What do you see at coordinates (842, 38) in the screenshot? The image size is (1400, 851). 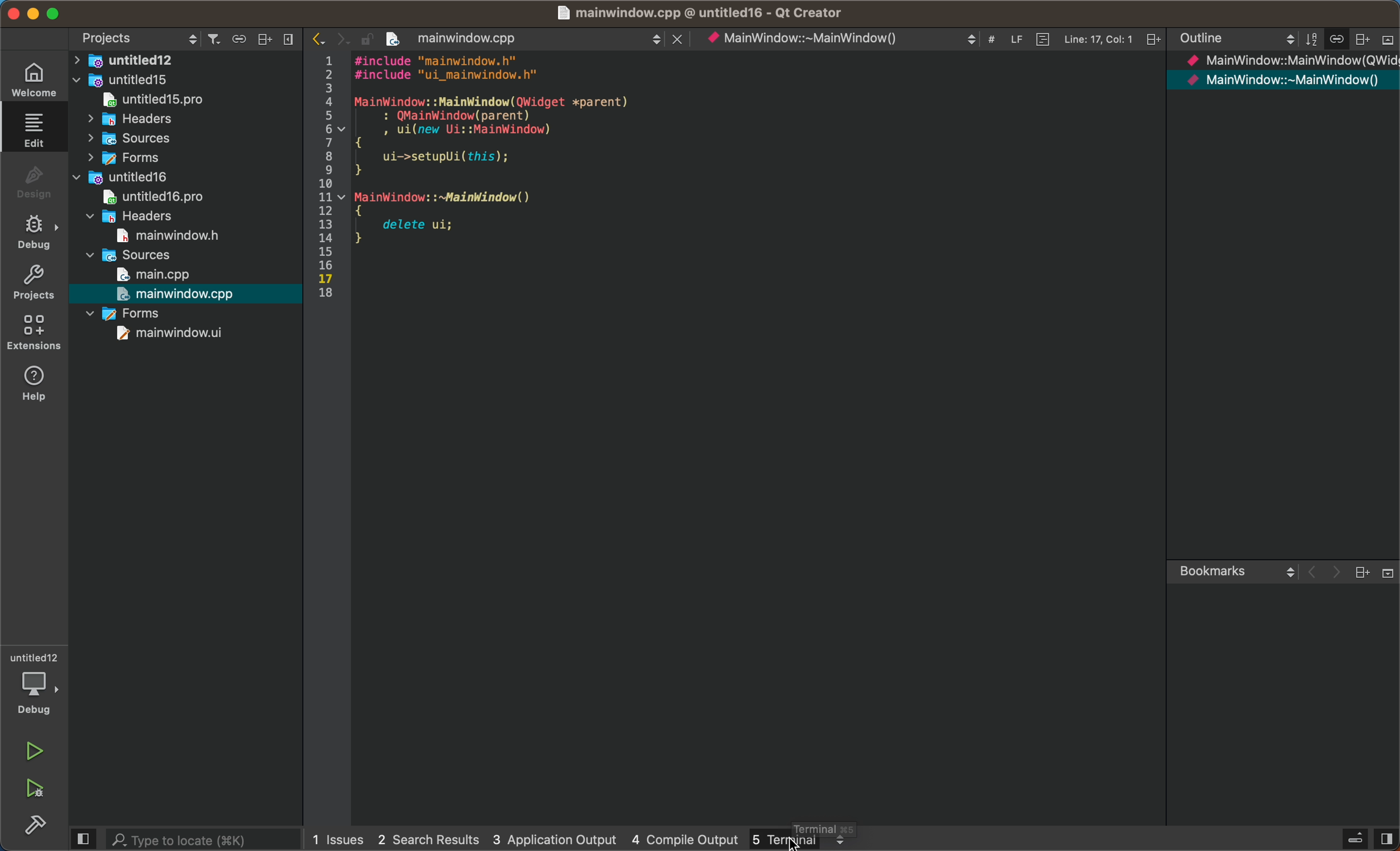 I see `file logs and settings` at bounding box center [842, 38].